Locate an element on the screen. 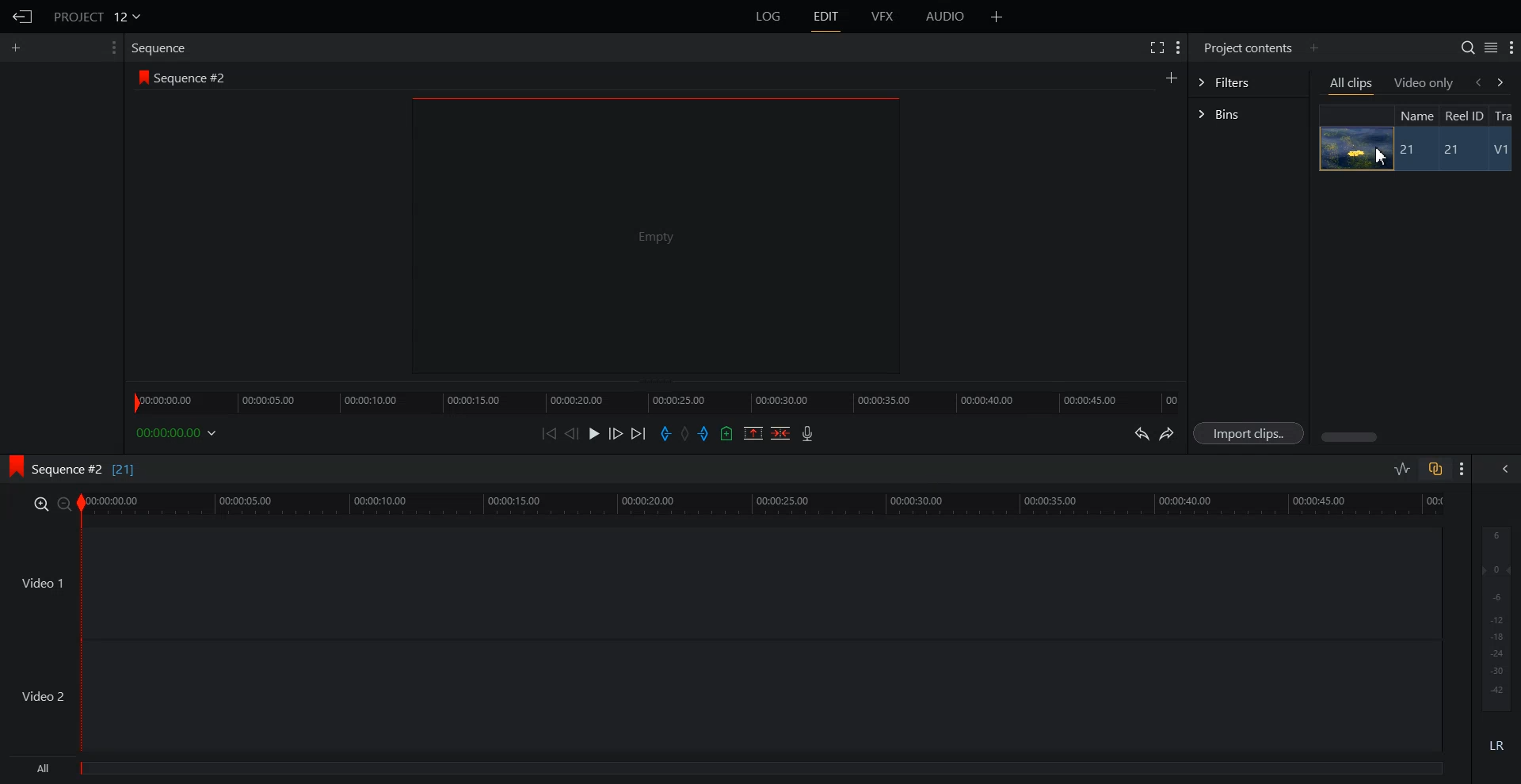 This screenshot has width=1521, height=784. zoom in/zoom out is located at coordinates (49, 503).